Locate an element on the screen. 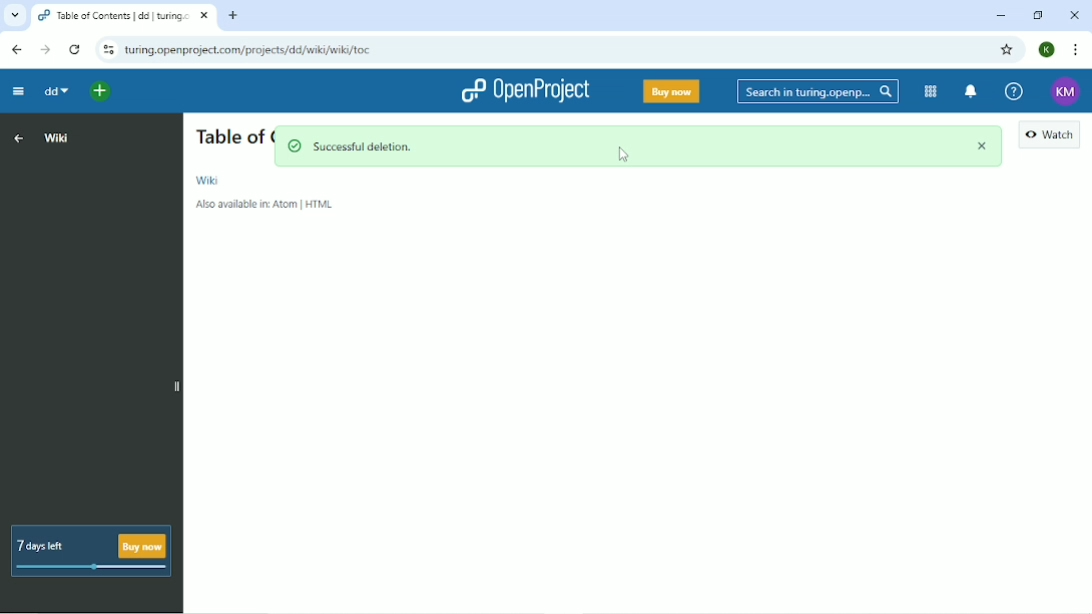 The image size is (1092, 614). buy now is located at coordinates (674, 90).